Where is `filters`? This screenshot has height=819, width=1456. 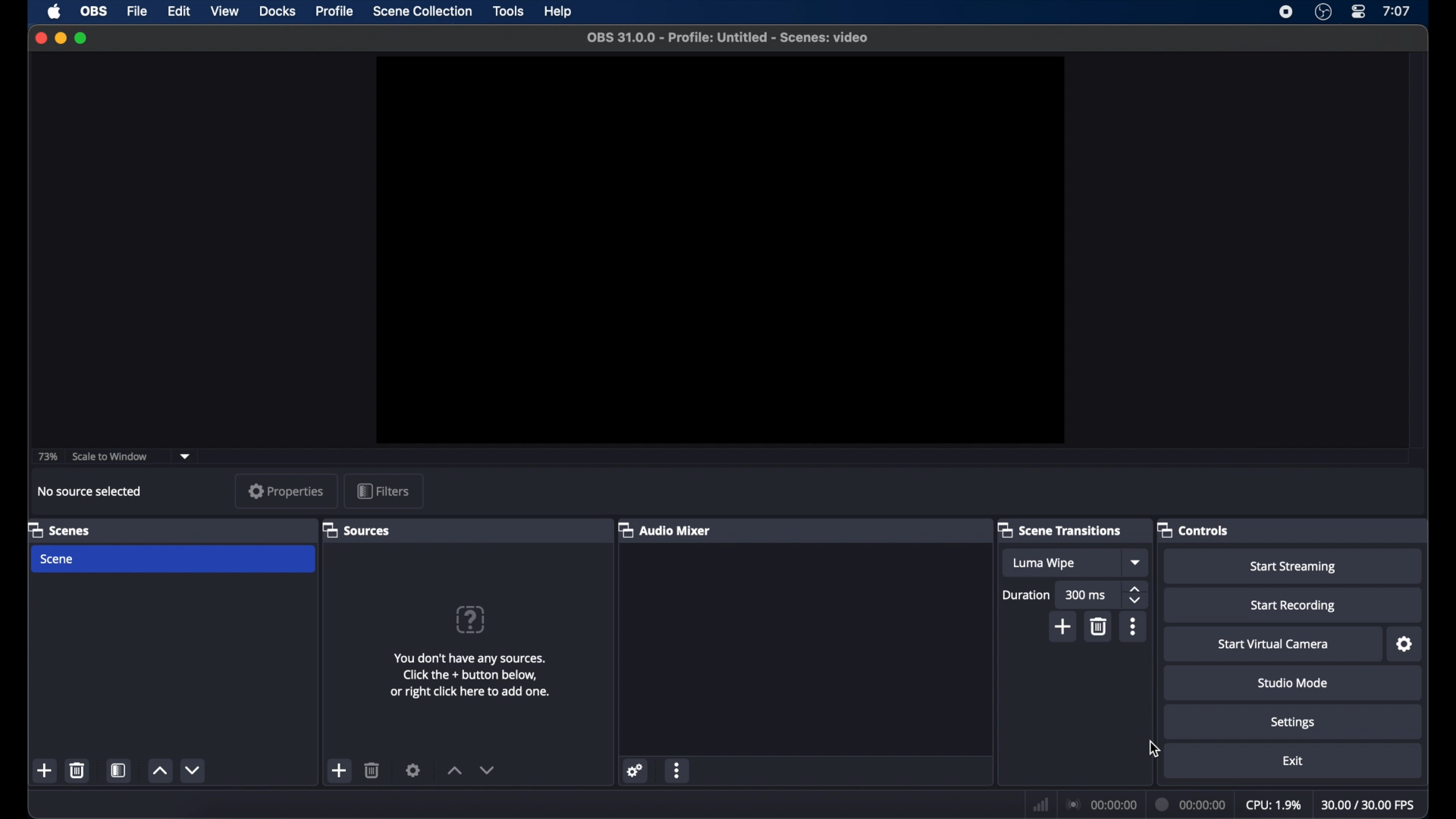 filters is located at coordinates (382, 491).